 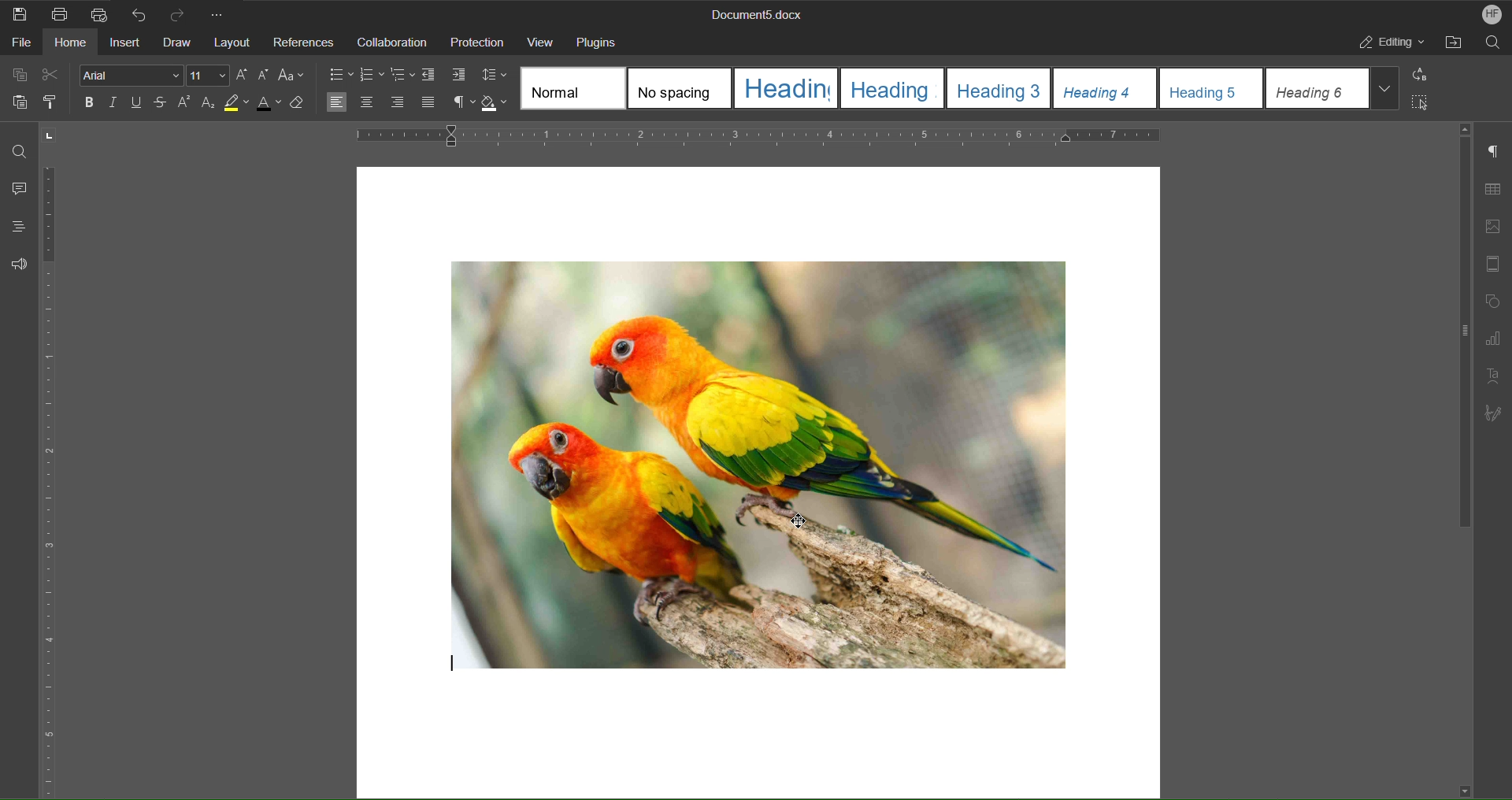 What do you see at coordinates (1459, 333) in the screenshot?
I see `Scrollbar` at bounding box center [1459, 333].